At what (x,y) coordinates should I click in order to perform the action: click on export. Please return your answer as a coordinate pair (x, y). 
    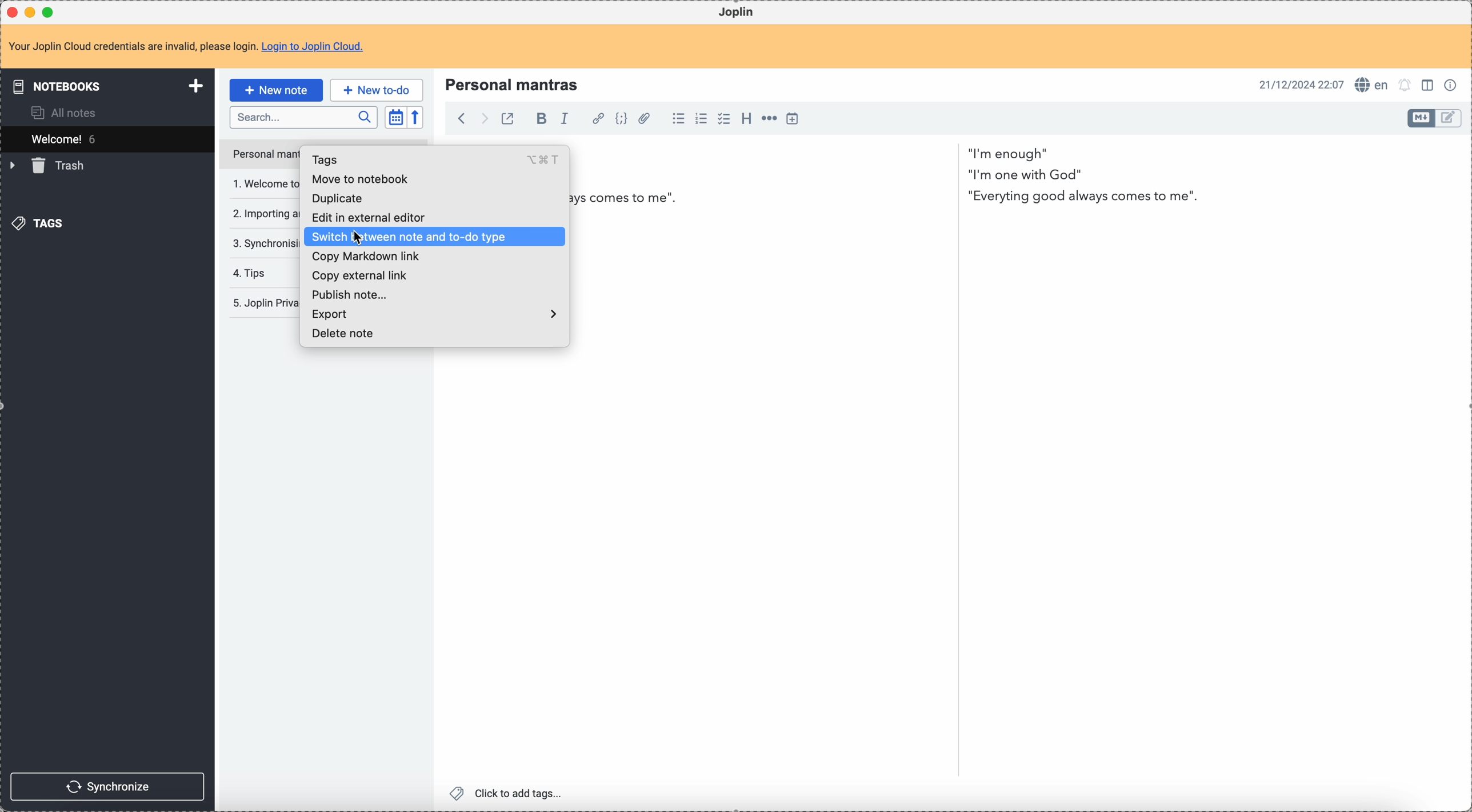
    Looking at the image, I should click on (434, 315).